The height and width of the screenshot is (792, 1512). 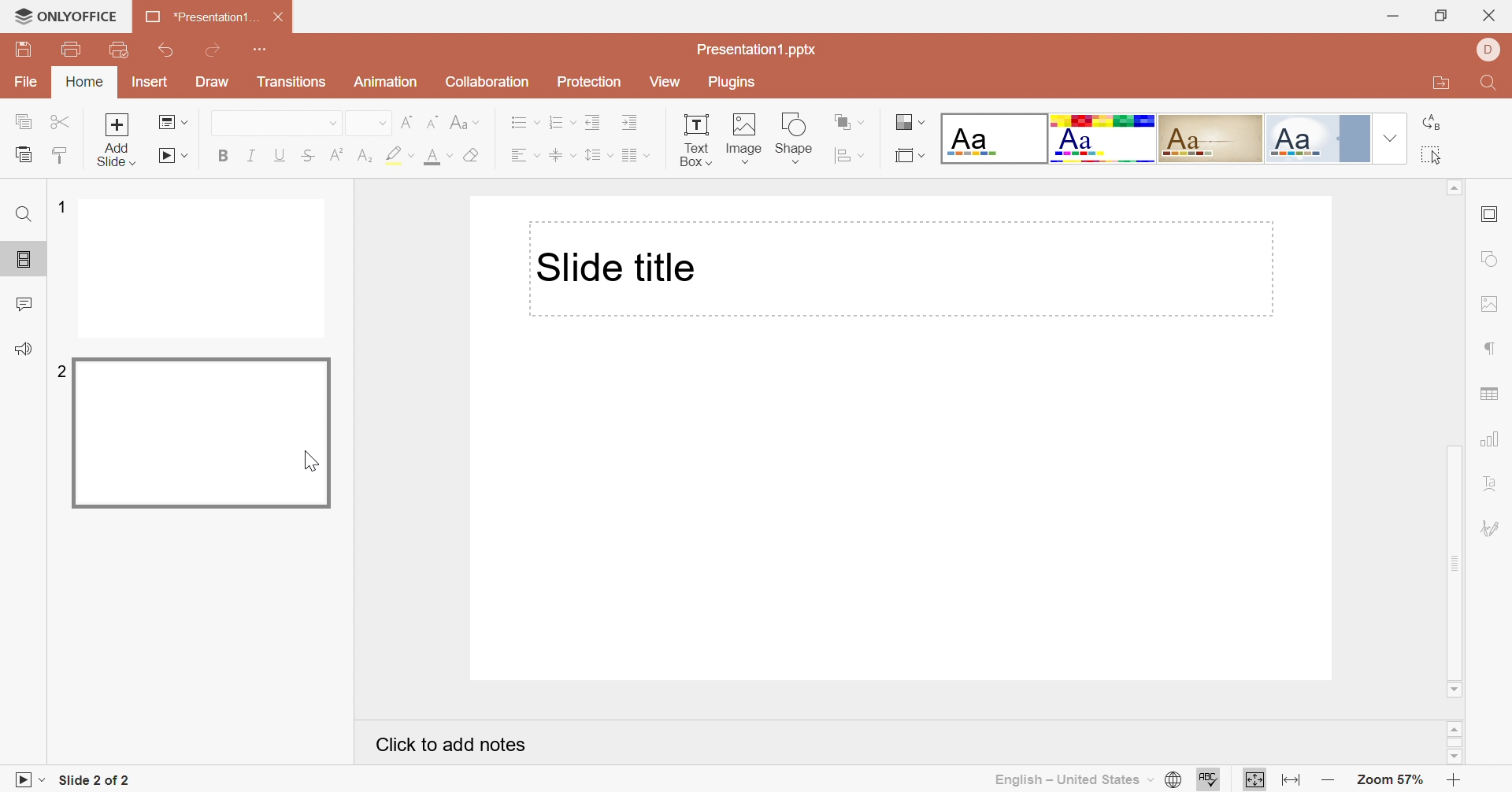 I want to click on Official, so click(x=1303, y=139).